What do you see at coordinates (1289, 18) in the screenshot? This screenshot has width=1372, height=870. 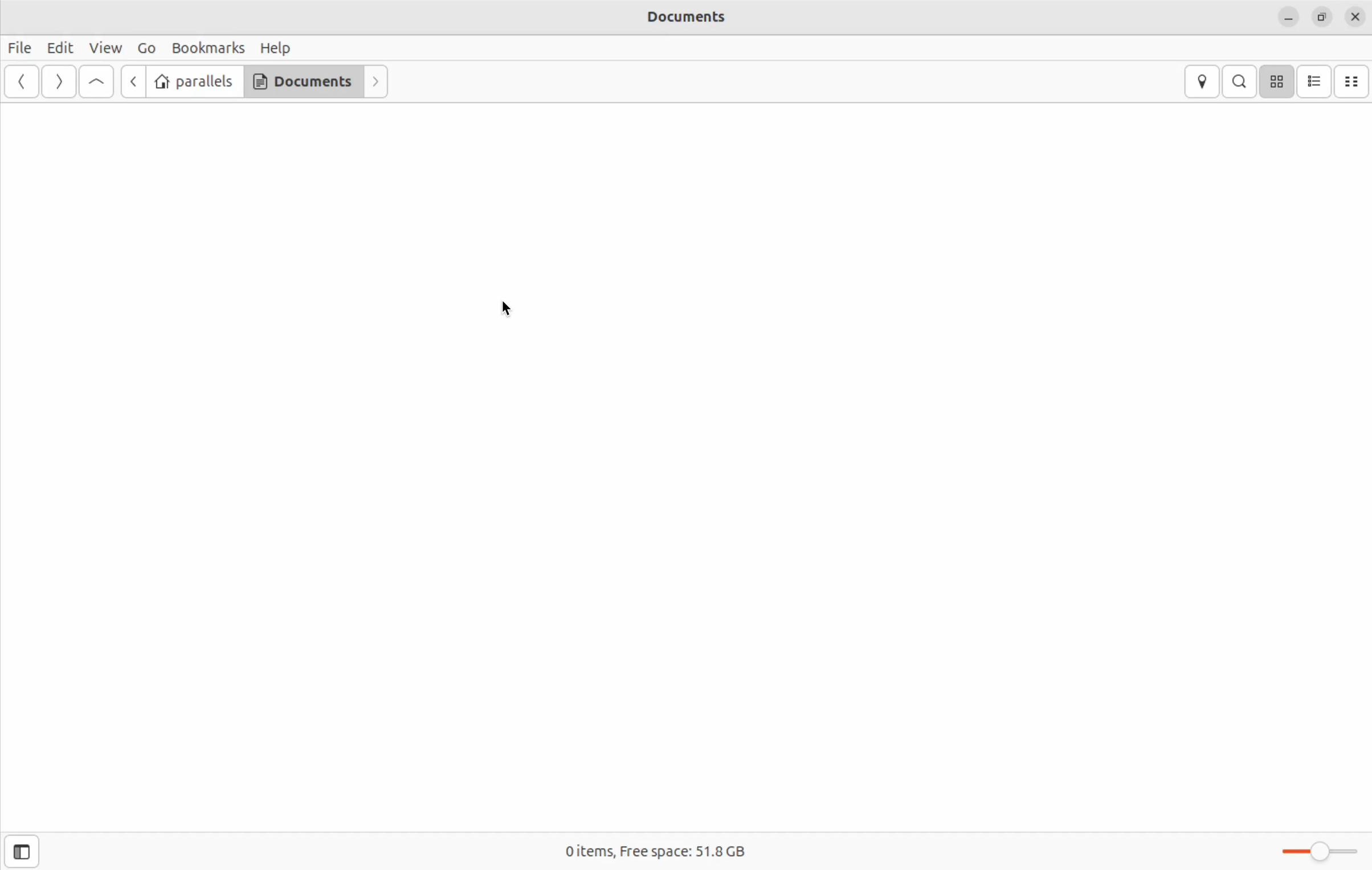 I see `minimize` at bounding box center [1289, 18].